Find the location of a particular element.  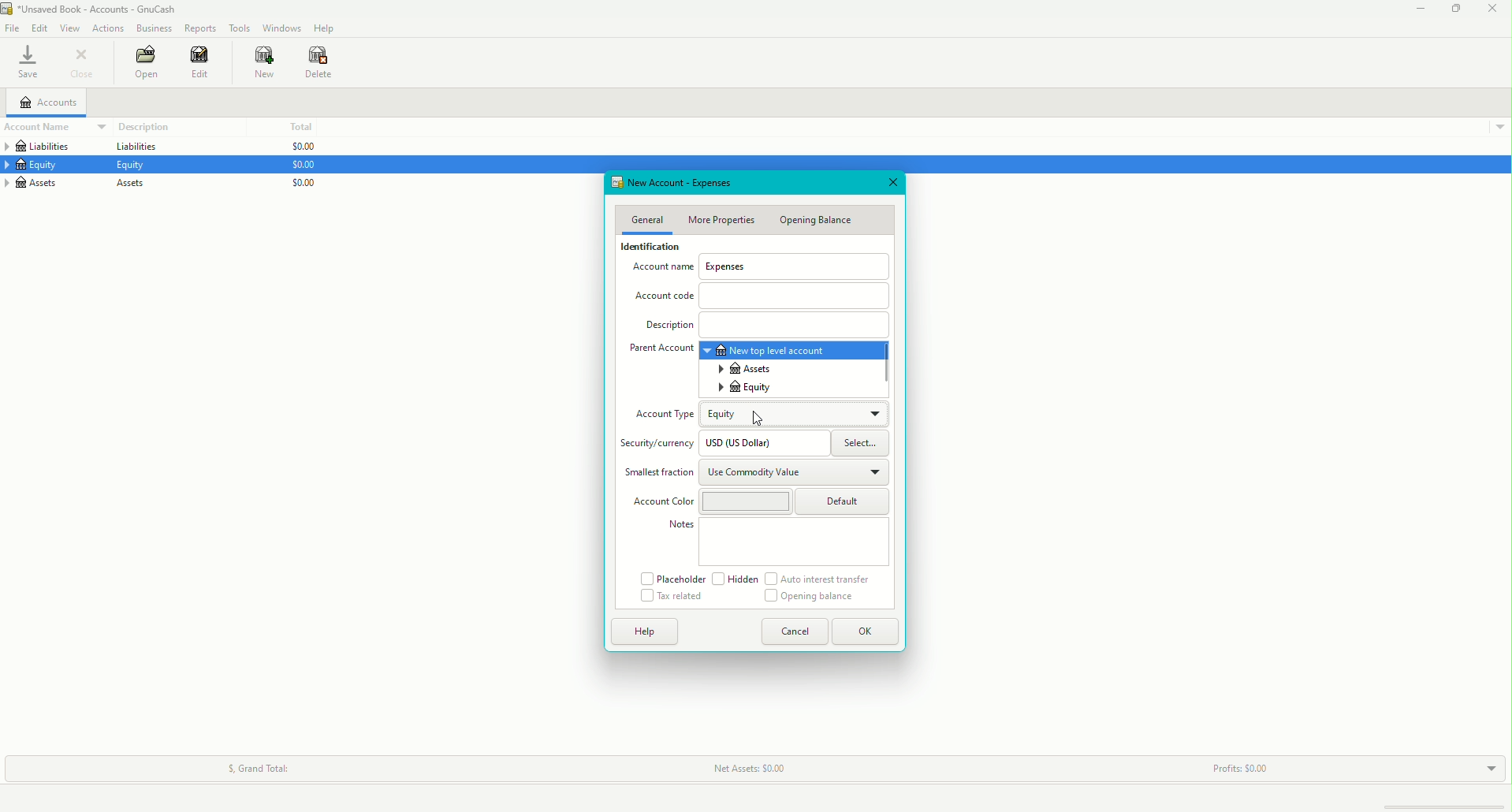

Tools is located at coordinates (238, 25).